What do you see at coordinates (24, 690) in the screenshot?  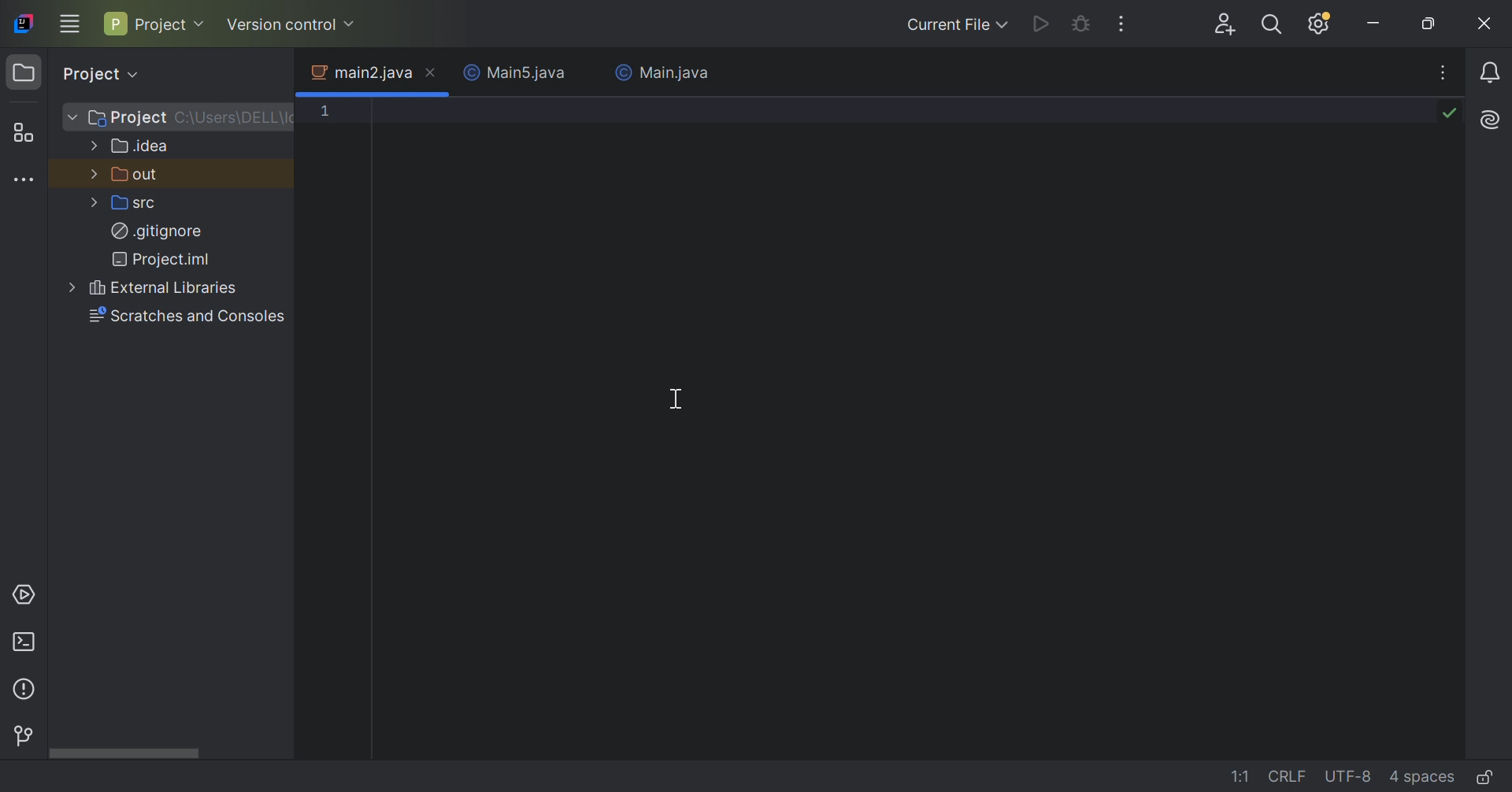 I see `Problems` at bounding box center [24, 690].